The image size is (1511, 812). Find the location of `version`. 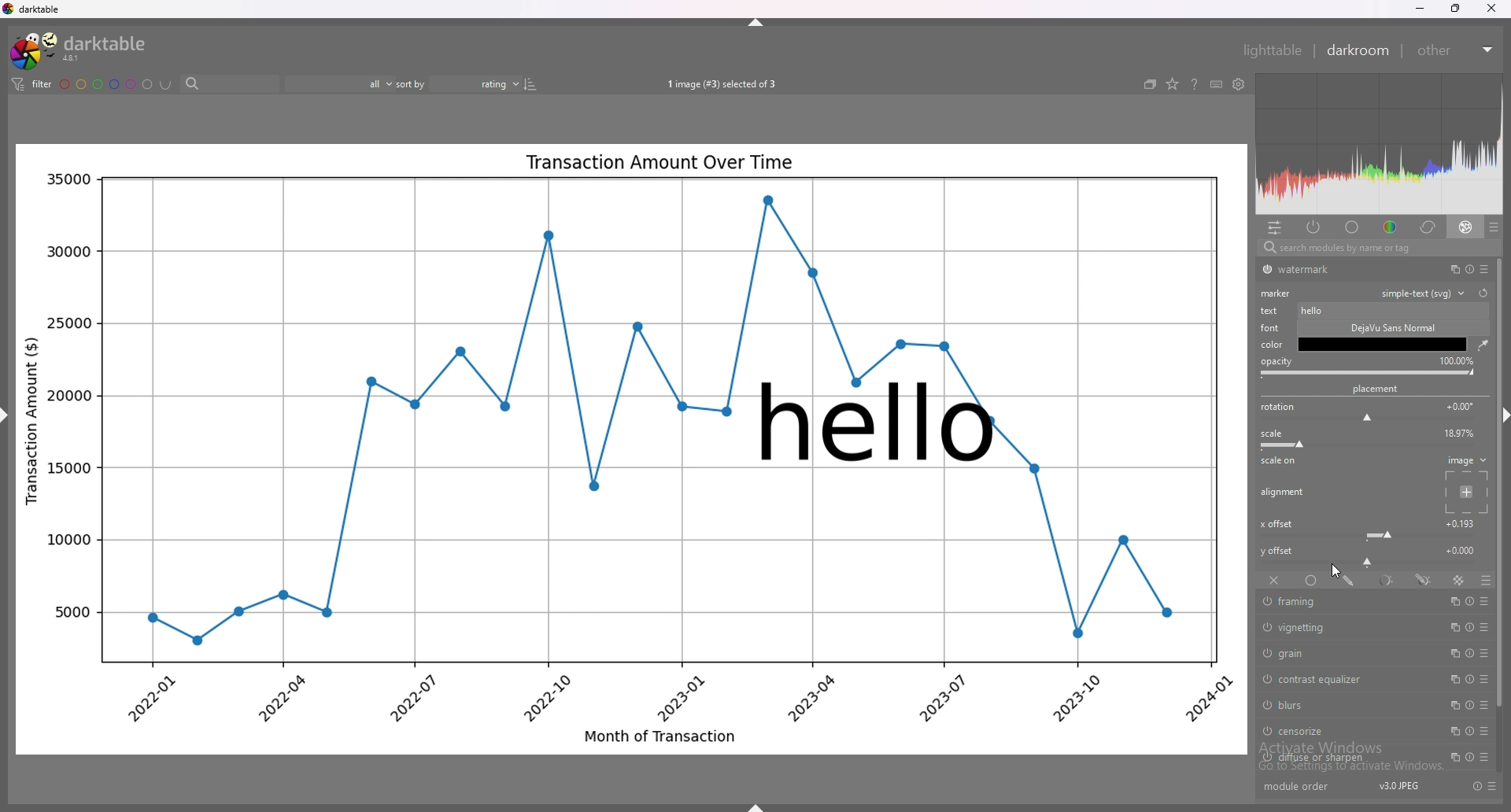

version is located at coordinates (1397, 787).